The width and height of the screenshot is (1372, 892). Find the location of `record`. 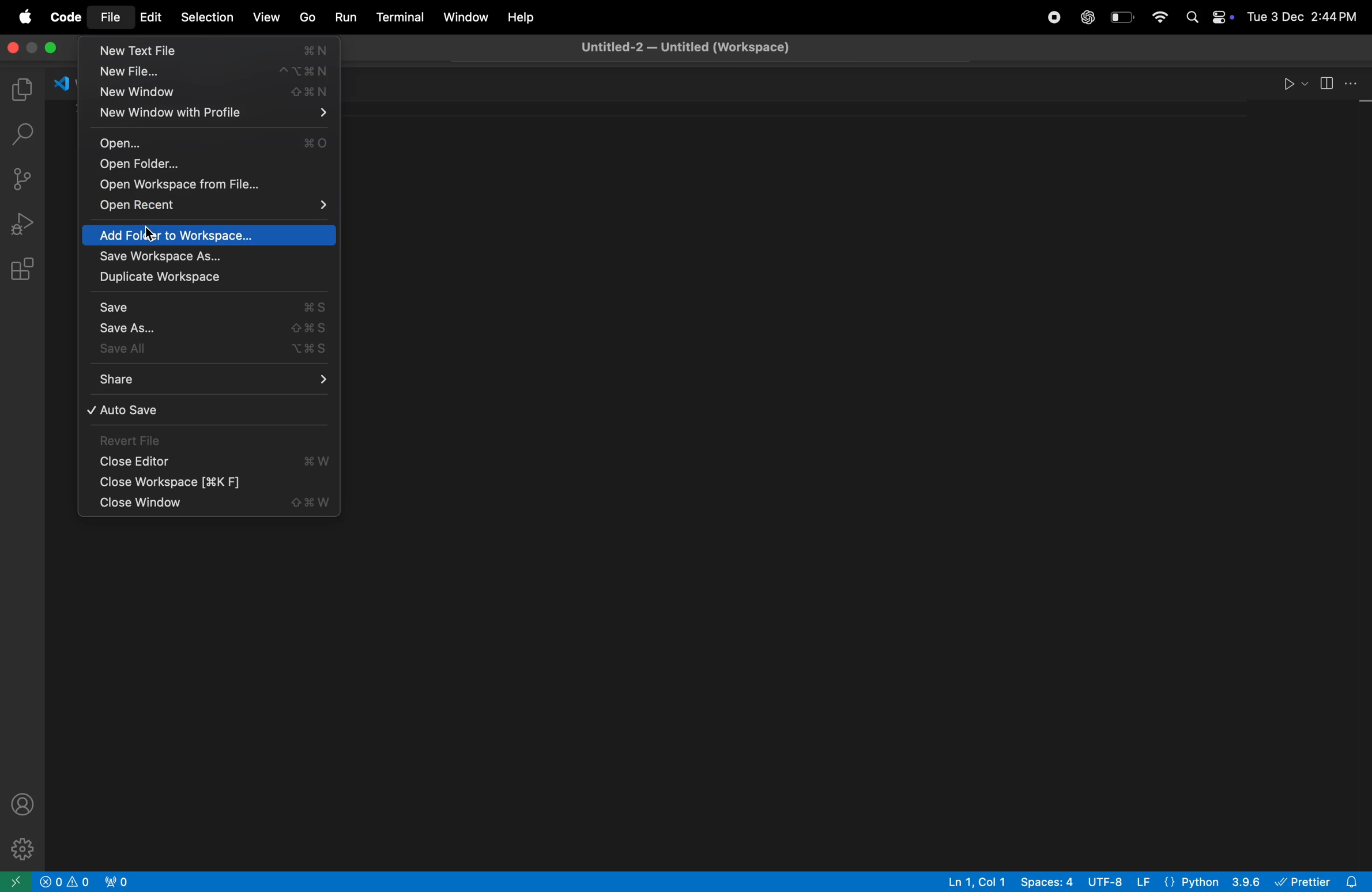

record is located at coordinates (1053, 17).